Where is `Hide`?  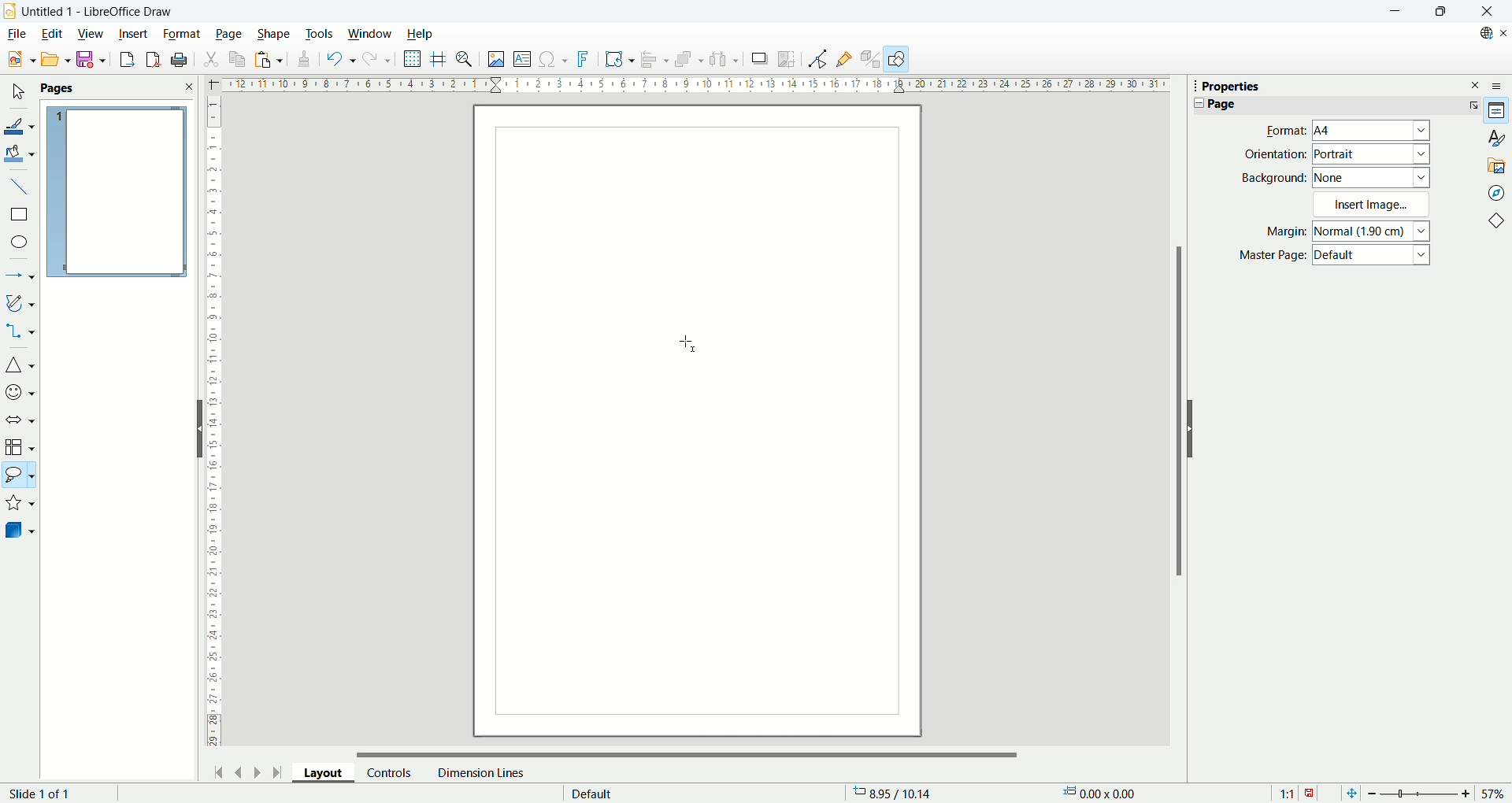
Hide is located at coordinates (1194, 428).